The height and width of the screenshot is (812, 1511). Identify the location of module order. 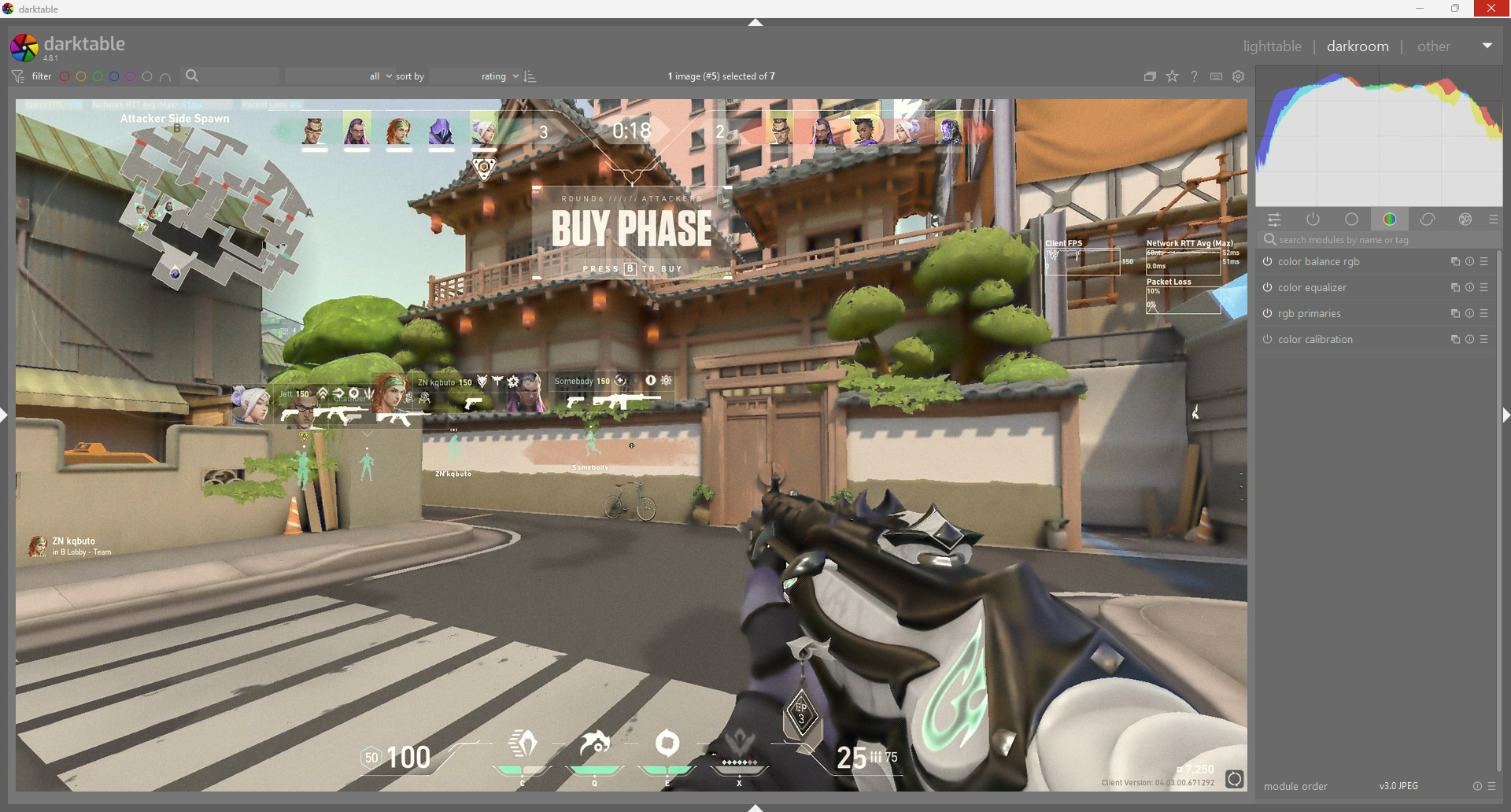
(1298, 786).